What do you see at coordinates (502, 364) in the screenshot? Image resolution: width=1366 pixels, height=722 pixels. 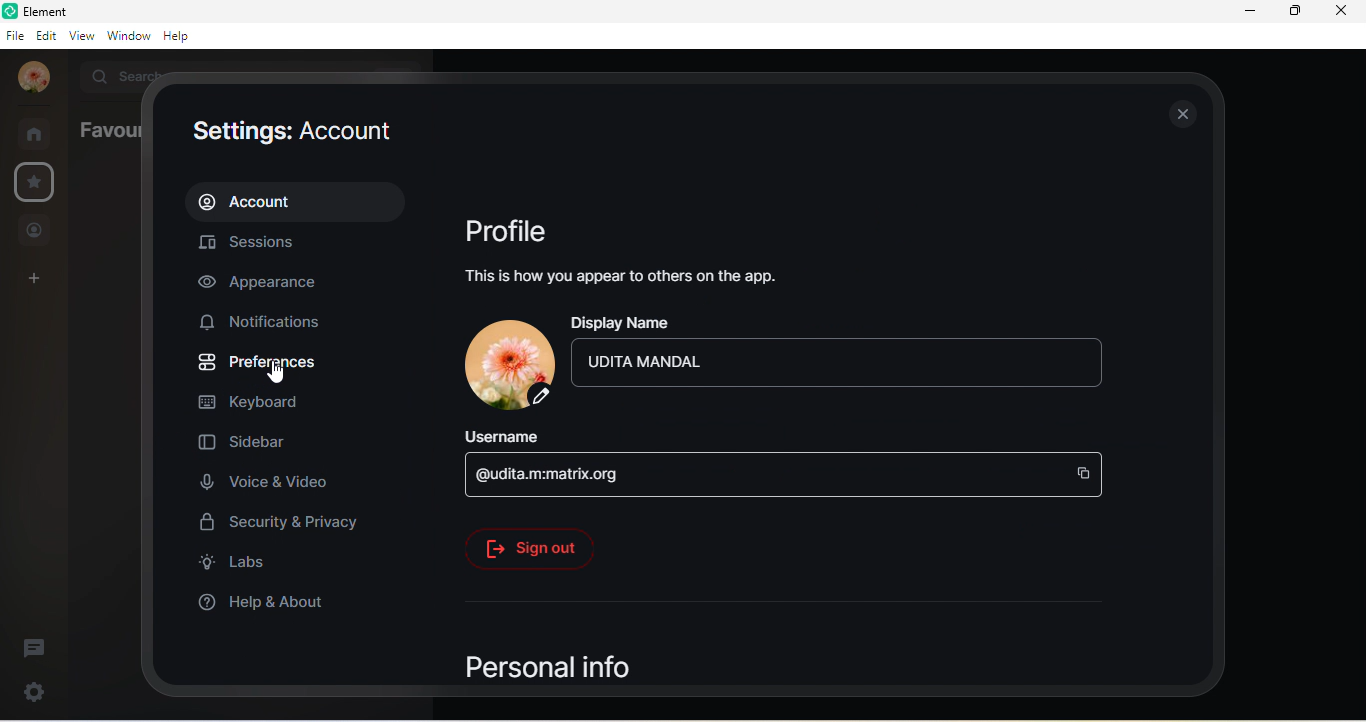 I see `profile photo` at bounding box center [502, 364].